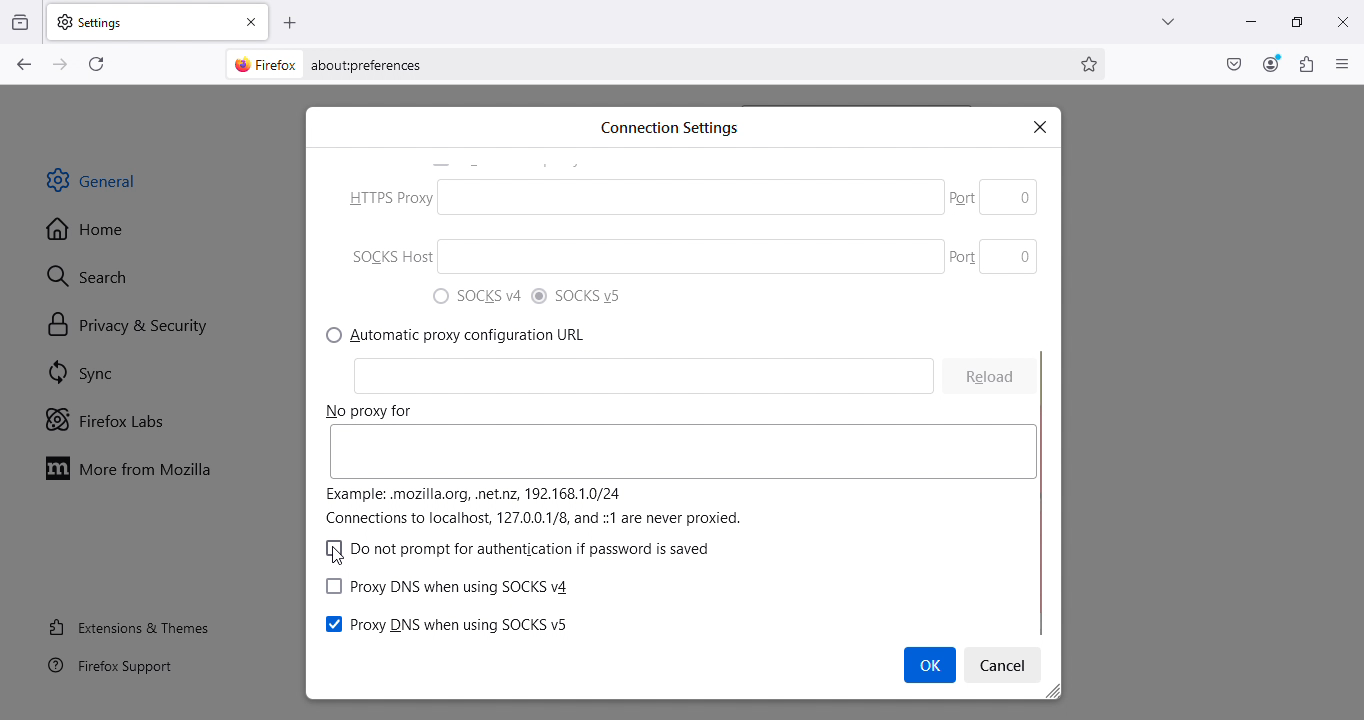 The width and height of the screenshot is (1364, 720). I want to click on HTTP Proxy, so click(638, 376).